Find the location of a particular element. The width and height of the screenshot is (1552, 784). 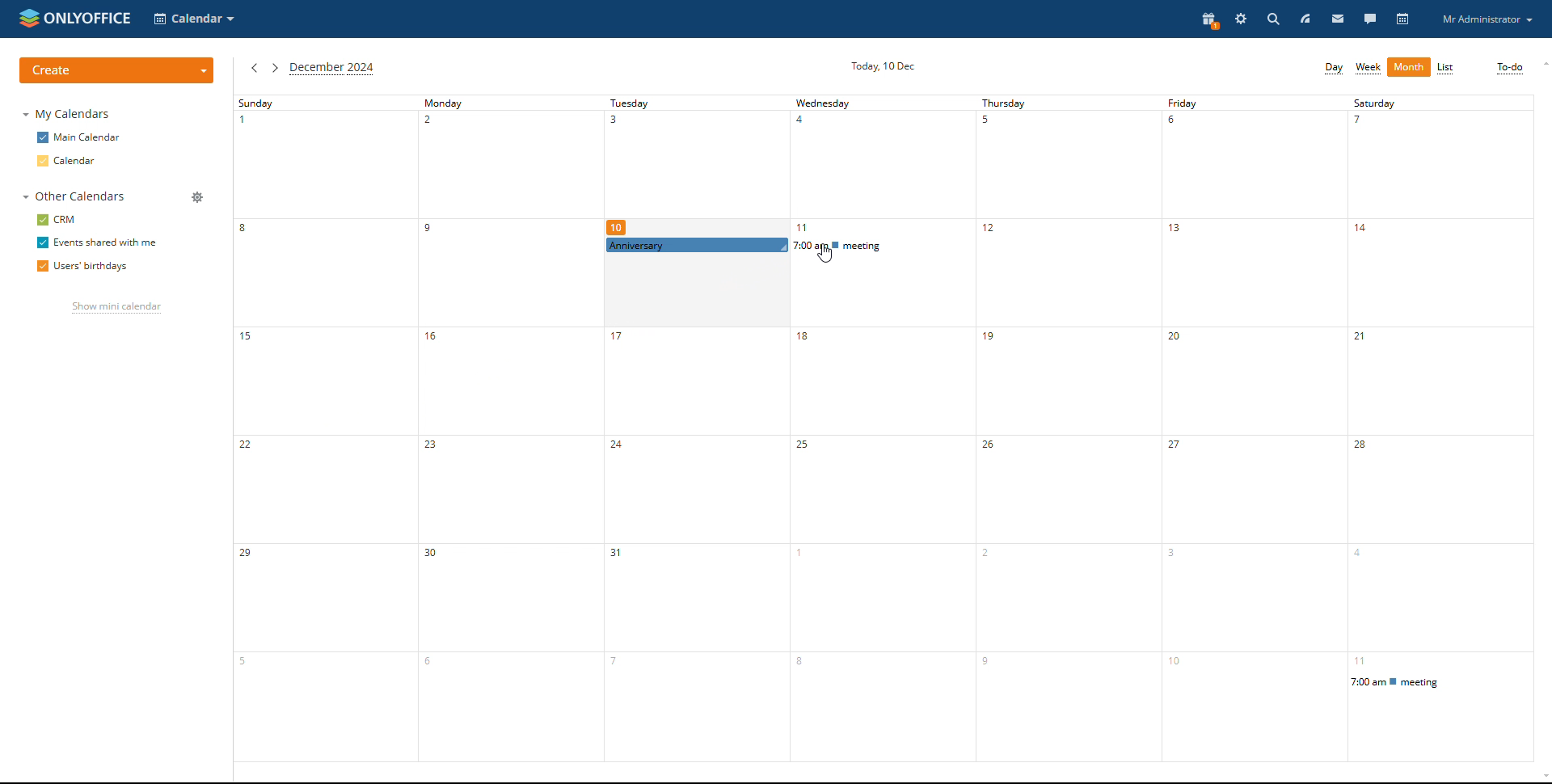

thursday is located at coordinates (1073, 428).